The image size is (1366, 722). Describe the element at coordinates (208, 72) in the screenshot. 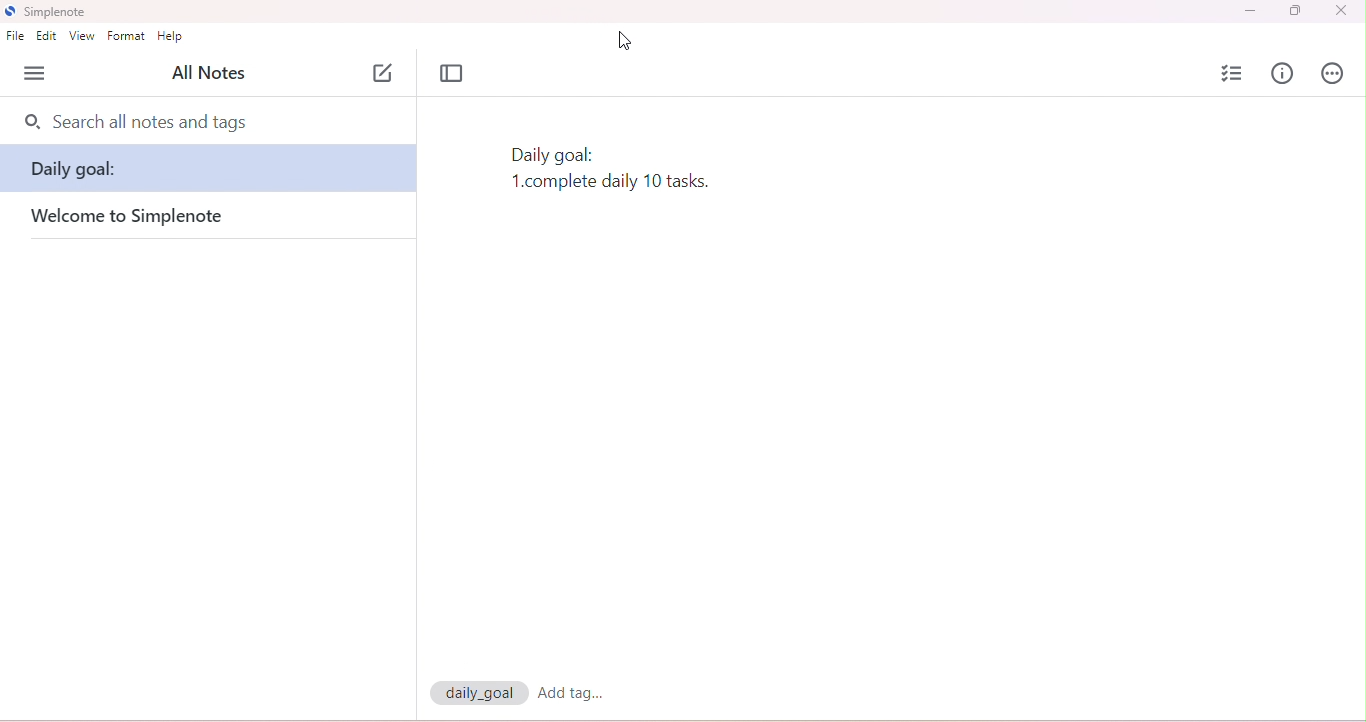

I see `all notes` at that location.